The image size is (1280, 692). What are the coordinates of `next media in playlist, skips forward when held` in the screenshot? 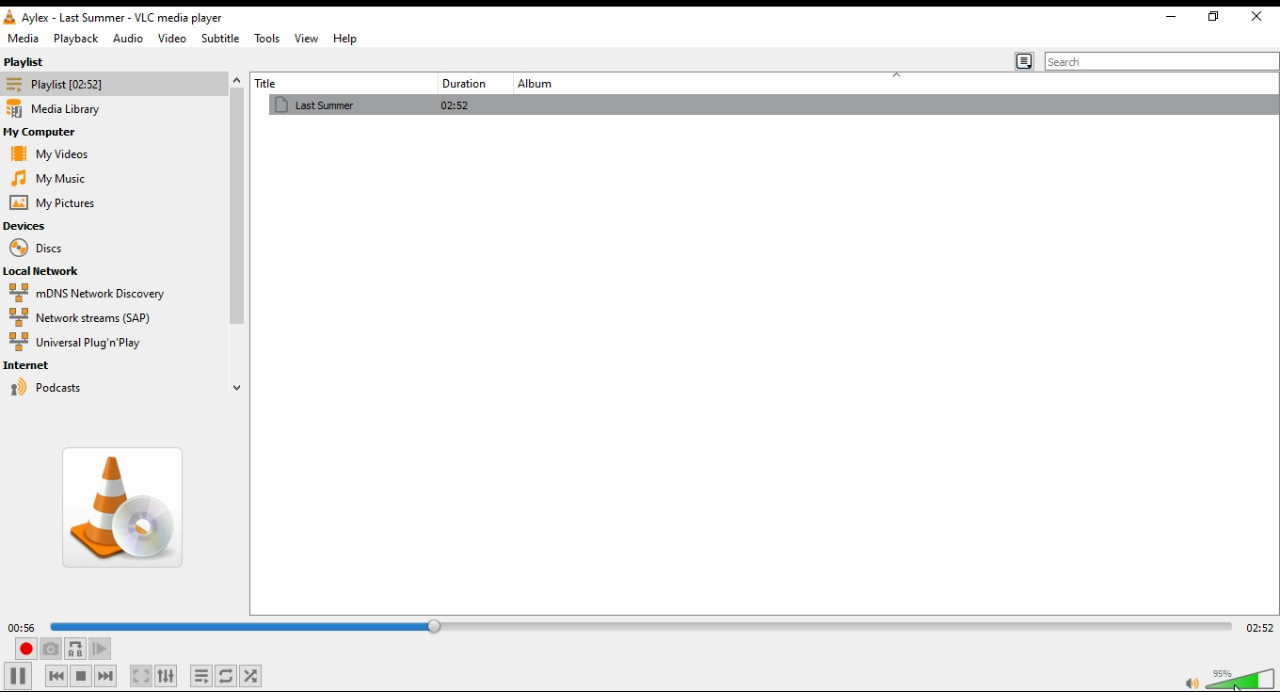 It's located at (104, 676).